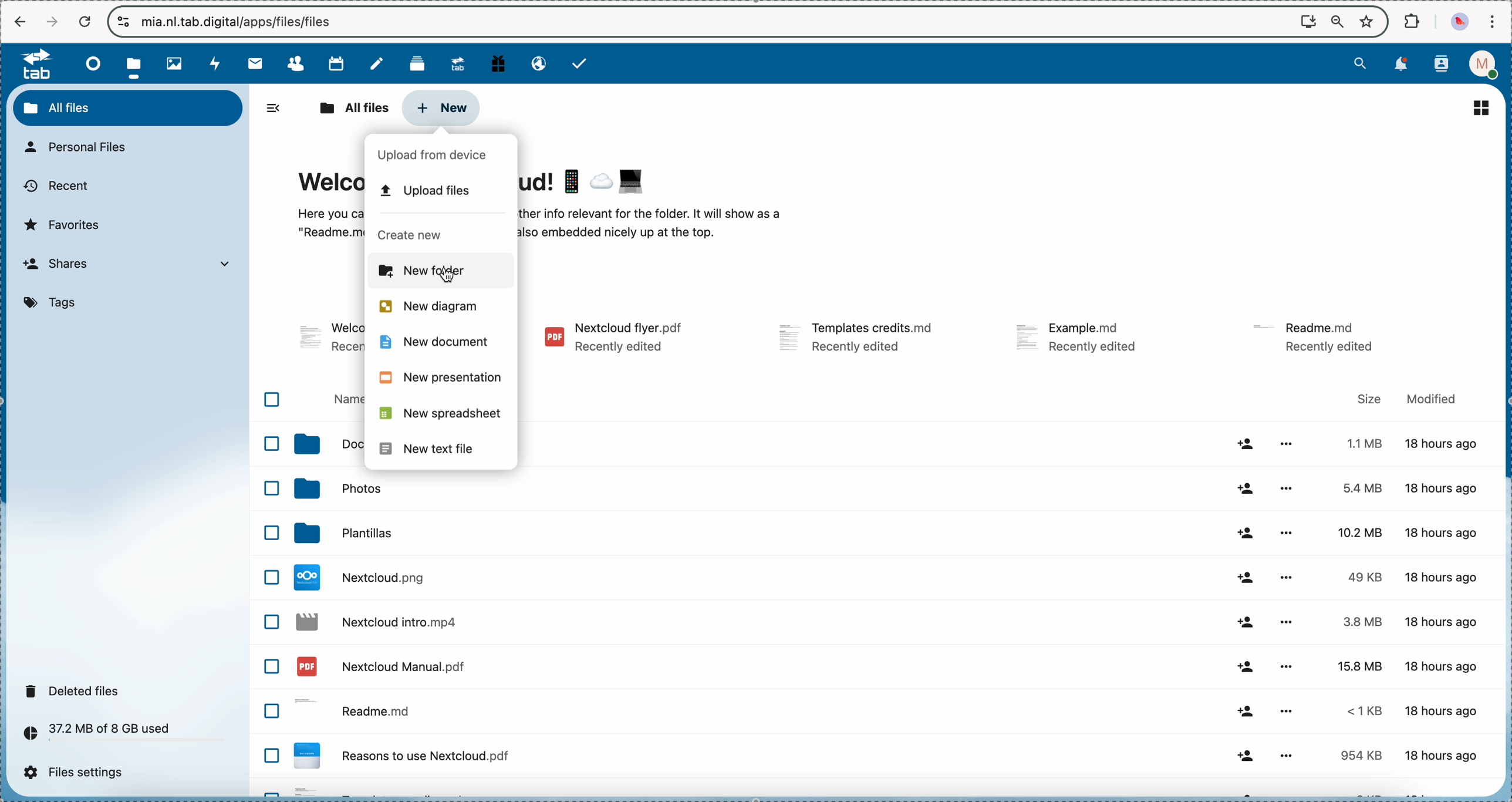 The image size is (1512, 802). What do you see at coordinates (84, 22) in the screenshot?
I see `cancel` at bounding box center [84, 22].